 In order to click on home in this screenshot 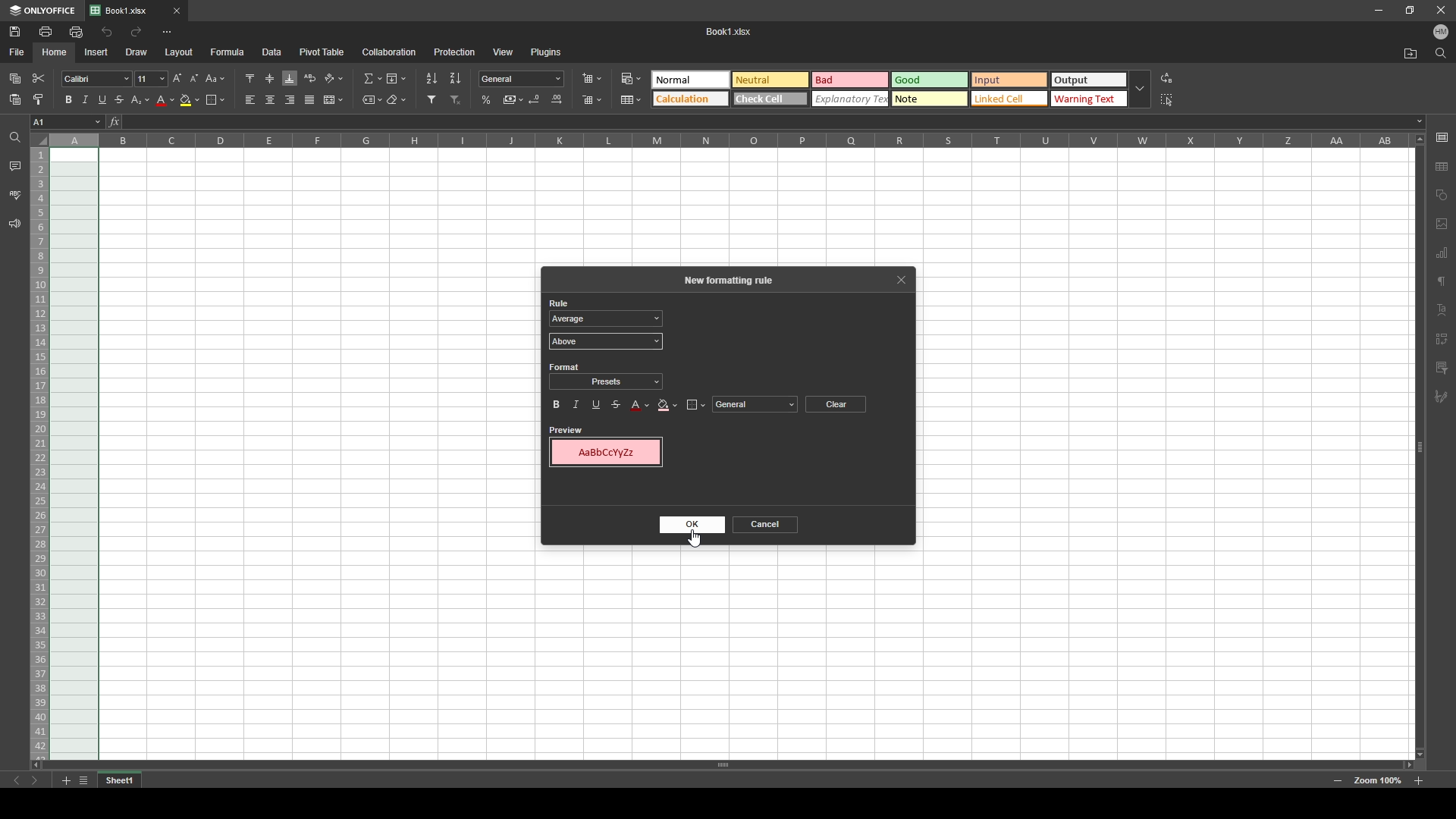, I will do `click(55, 52)`.